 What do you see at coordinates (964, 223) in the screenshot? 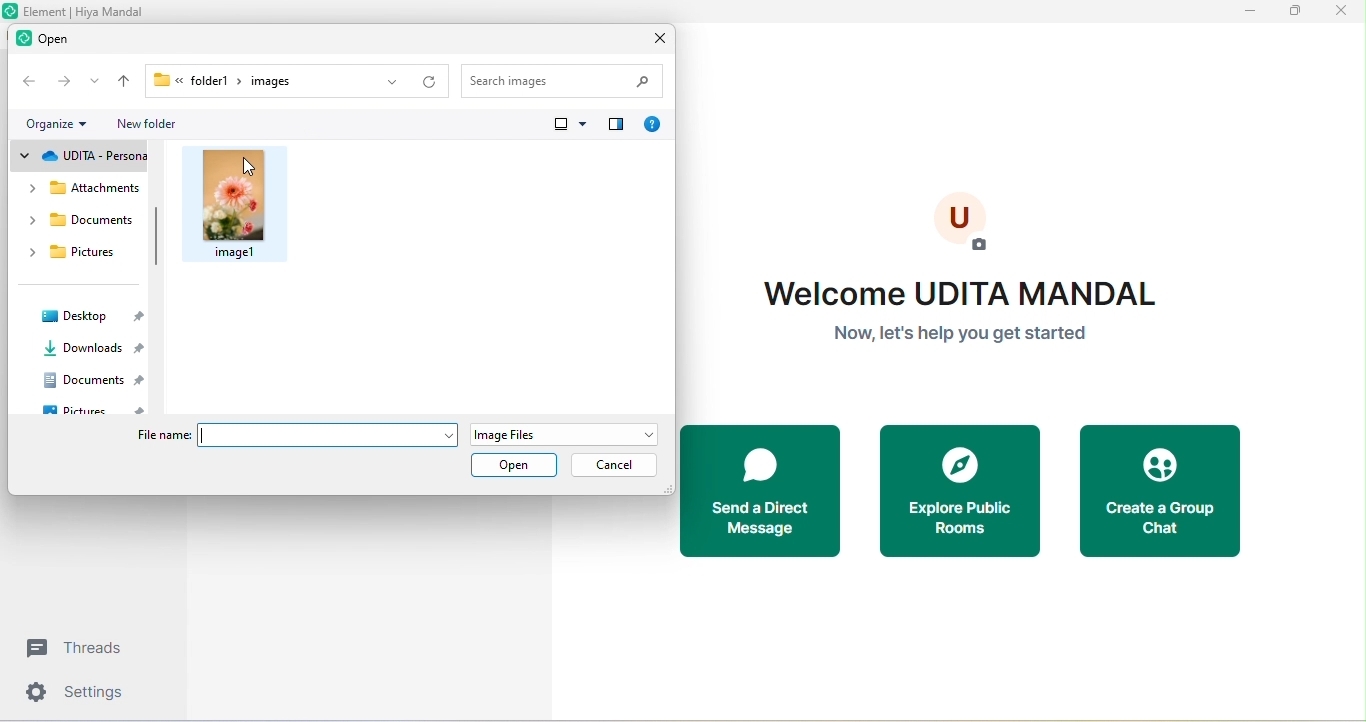
I see `profile` at bounding box center [964, 223].